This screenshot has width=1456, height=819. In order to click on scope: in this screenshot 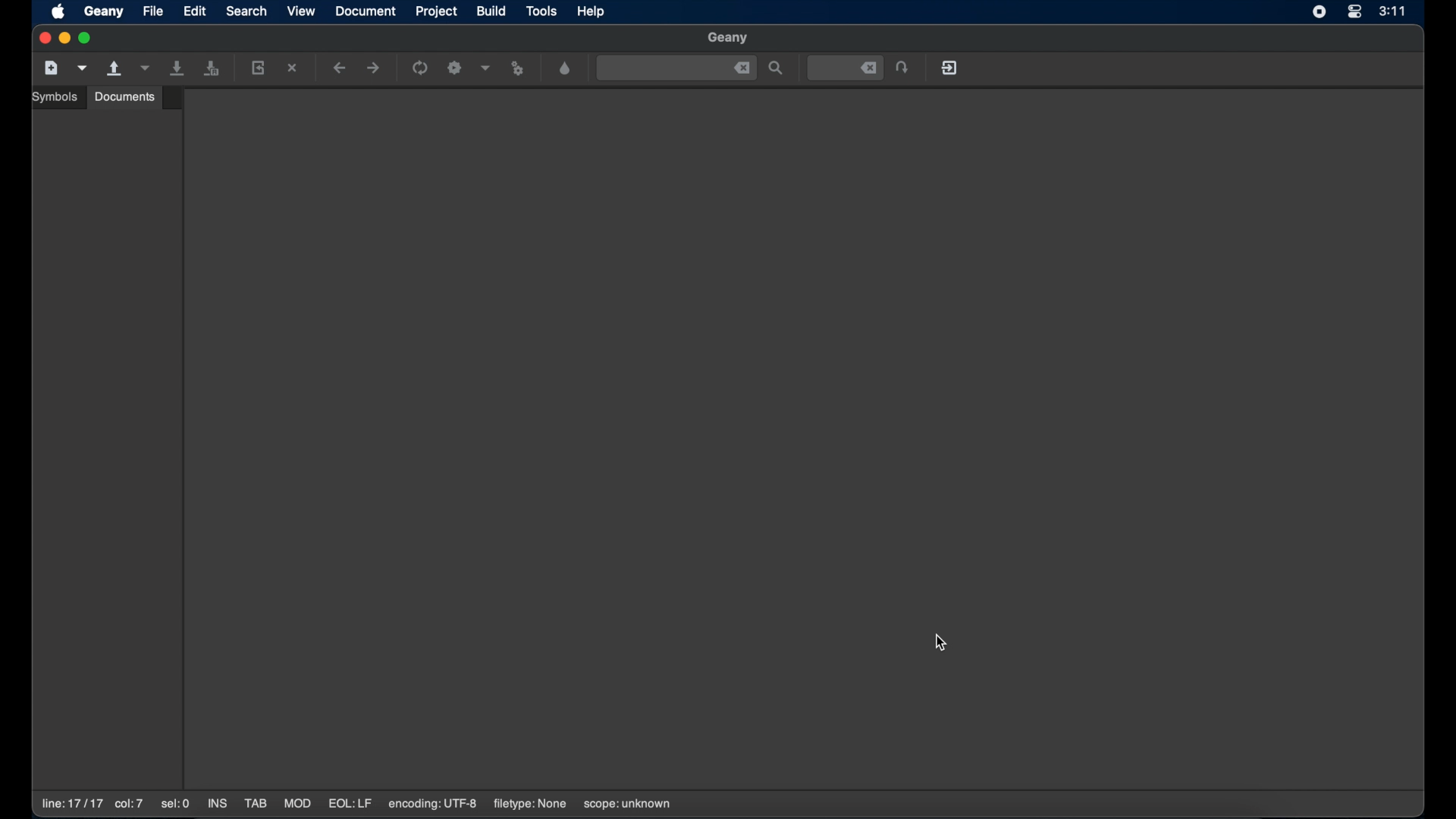, I will do `click(627, 805)`.